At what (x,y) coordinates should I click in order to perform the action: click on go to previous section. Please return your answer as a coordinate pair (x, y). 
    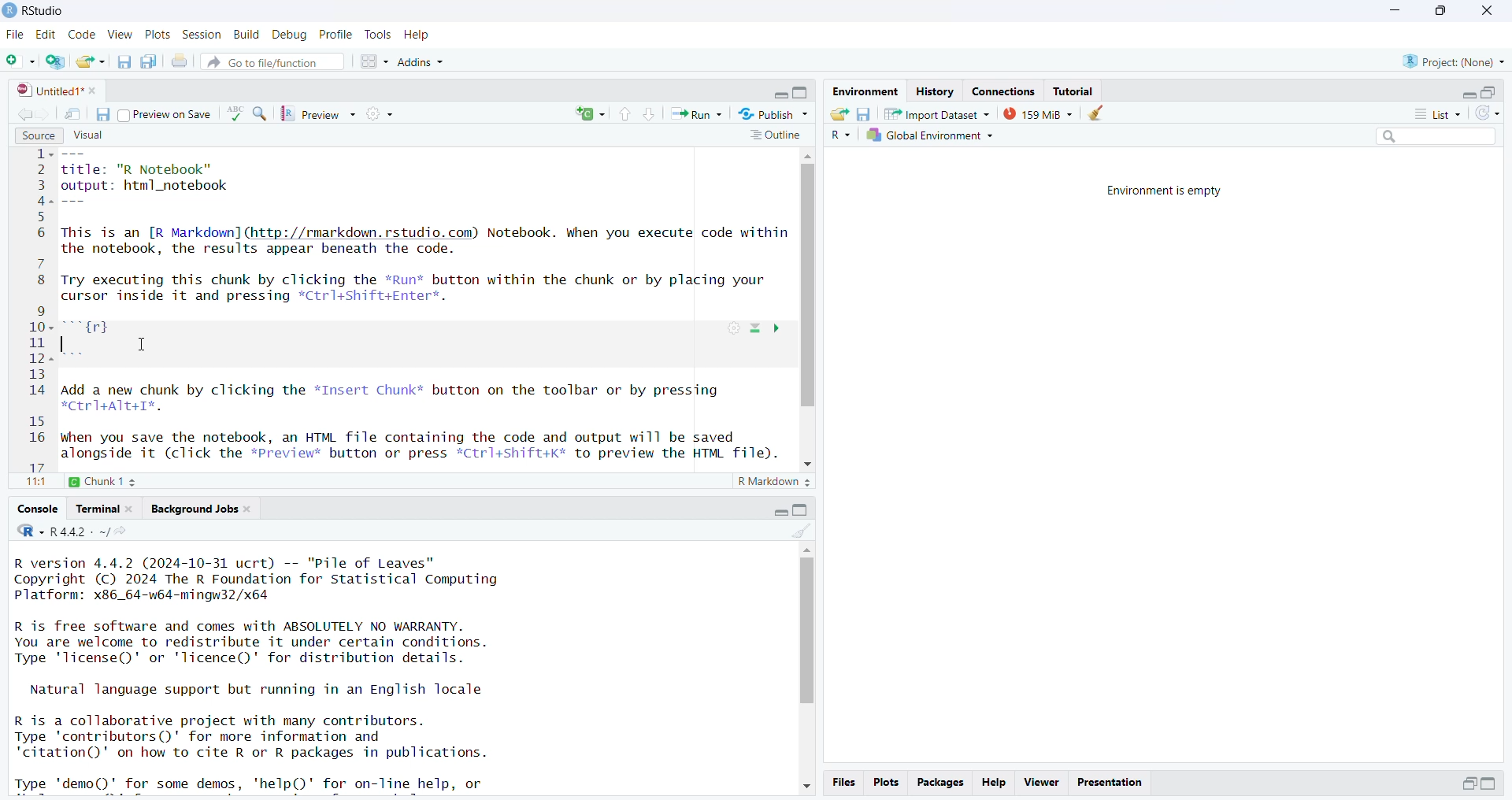
    Looking at the image, I should click on (624, 114).